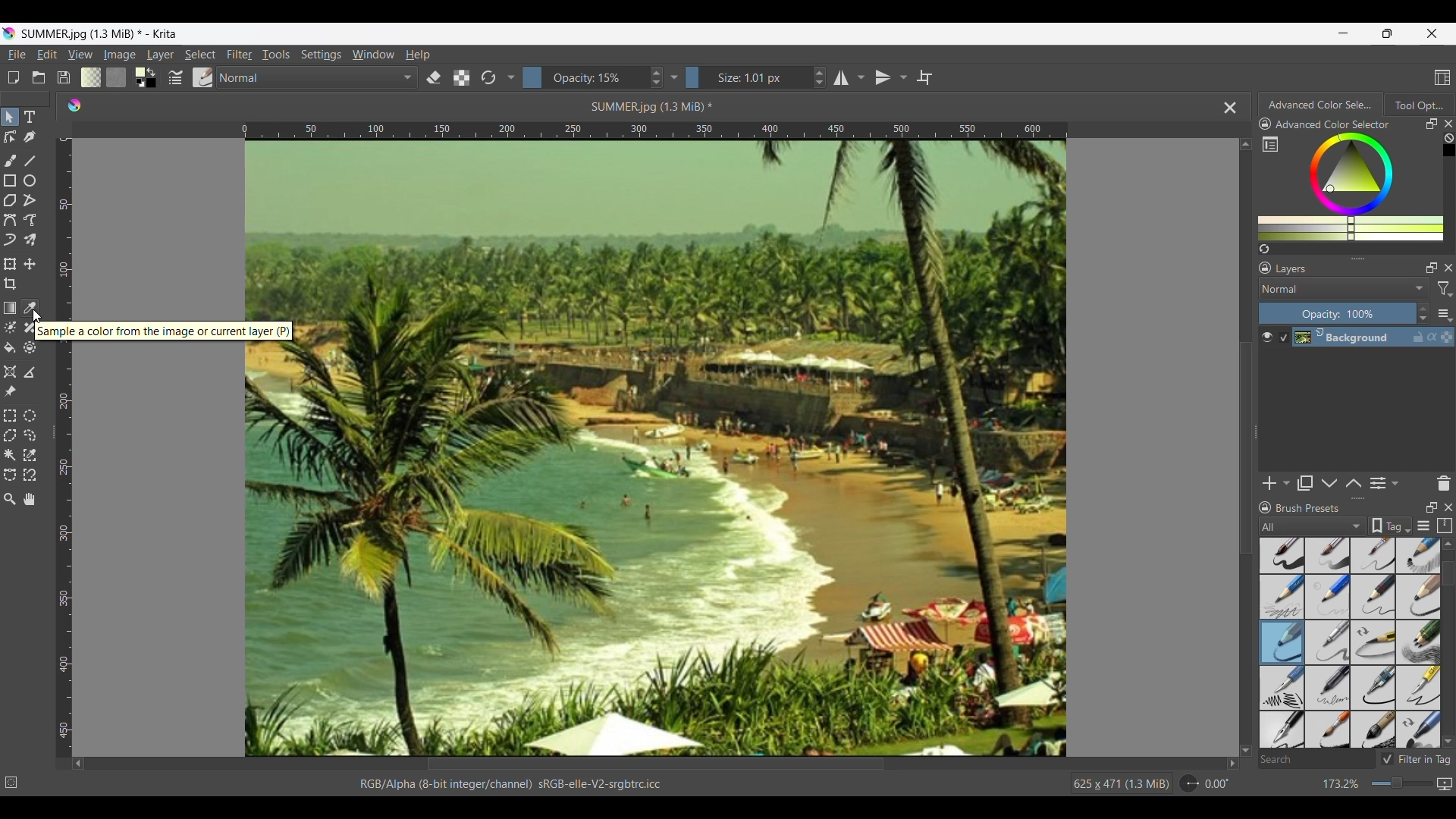  What do you see at coordinates (1423, 314) in the screenshot?
I see `Increase/Decrease opacity` at bounding box center [1423, 314].